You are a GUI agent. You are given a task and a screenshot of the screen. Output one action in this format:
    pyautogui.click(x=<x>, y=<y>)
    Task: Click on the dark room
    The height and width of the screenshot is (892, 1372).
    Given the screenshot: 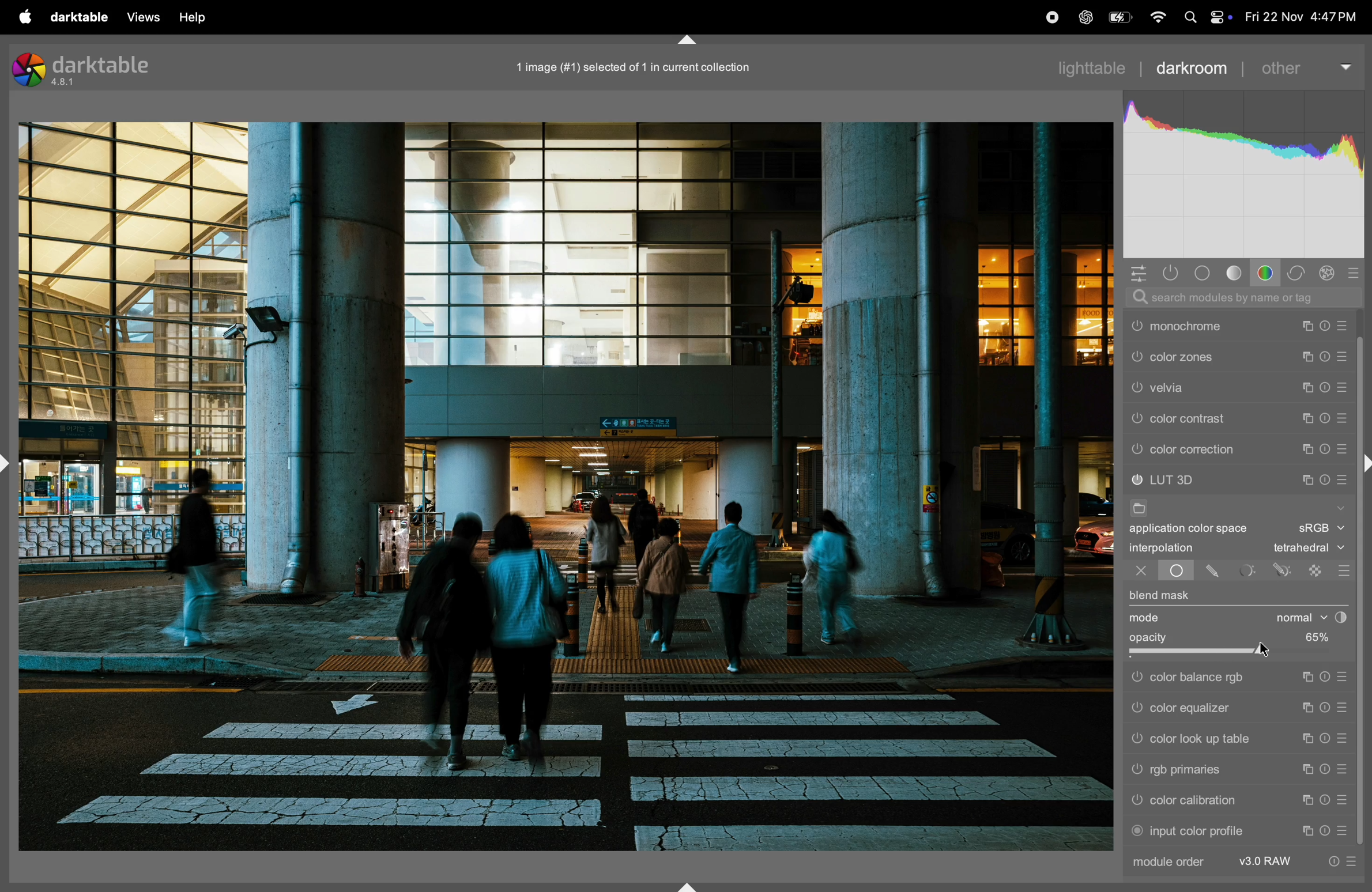 What is the action you would take?
    pyautogui.click(x=1195, y=67)
    